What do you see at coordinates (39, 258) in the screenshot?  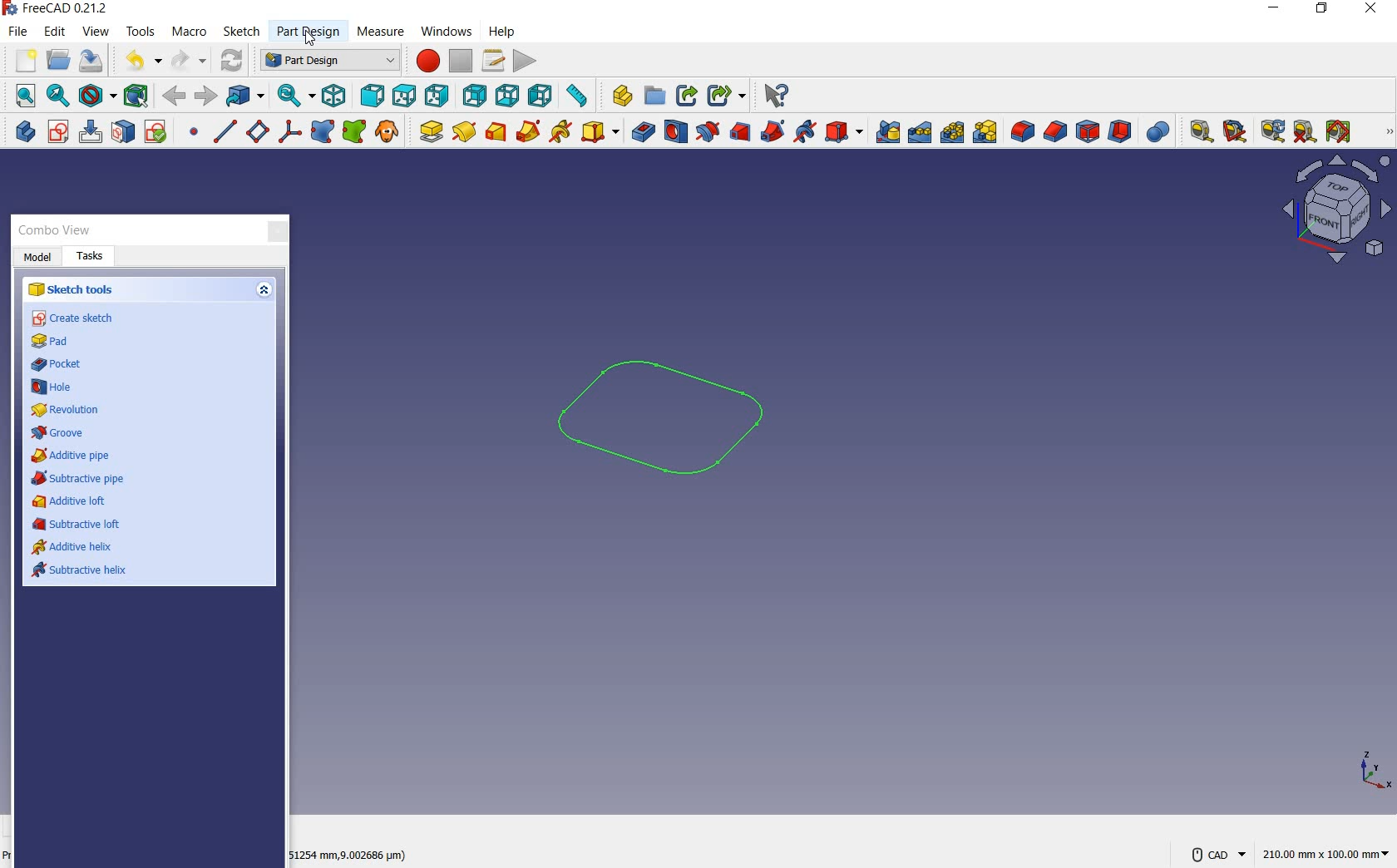 I see `Model` at bounding box center [39, 258].